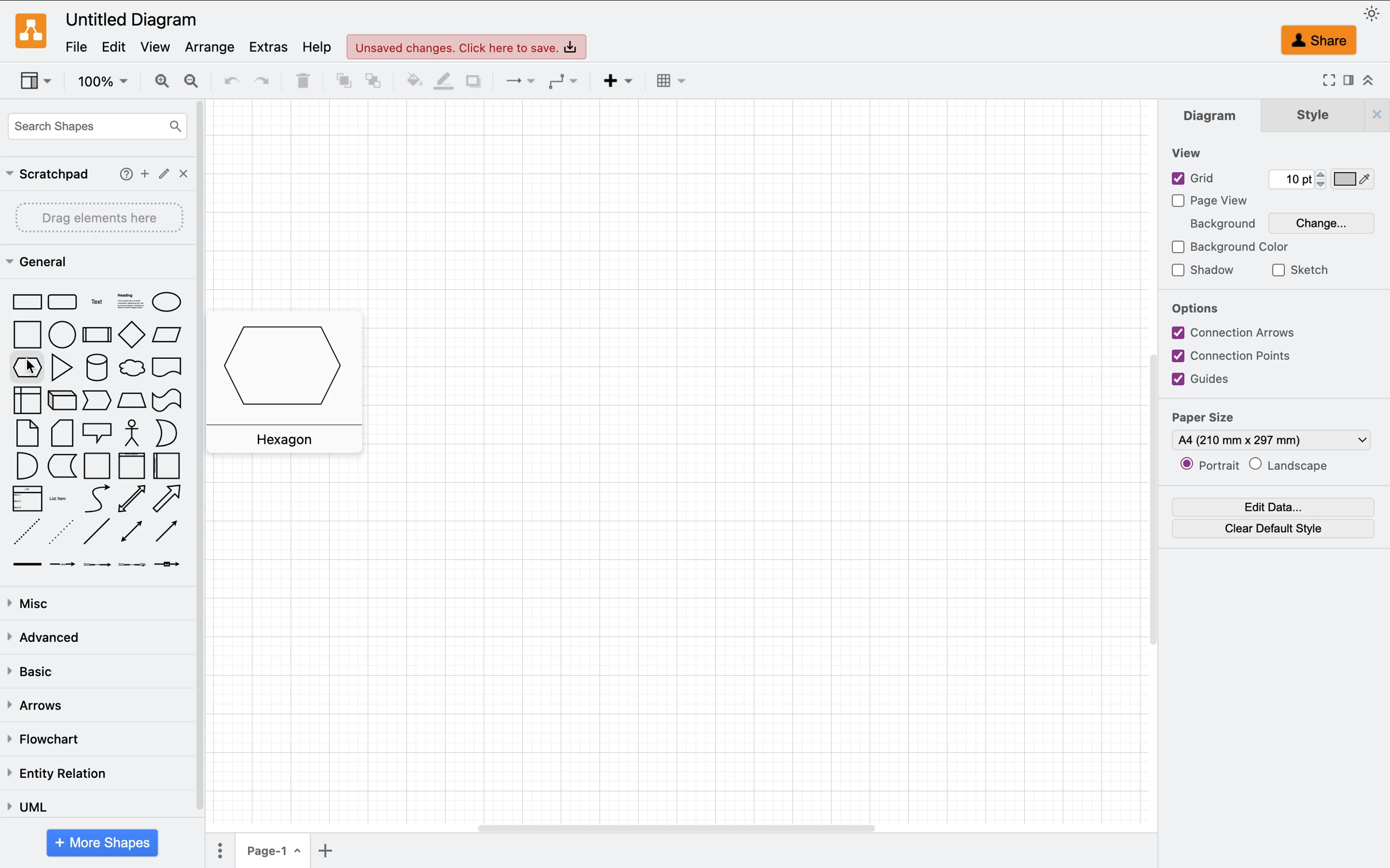  I want to click on edit, so click(118, 46).